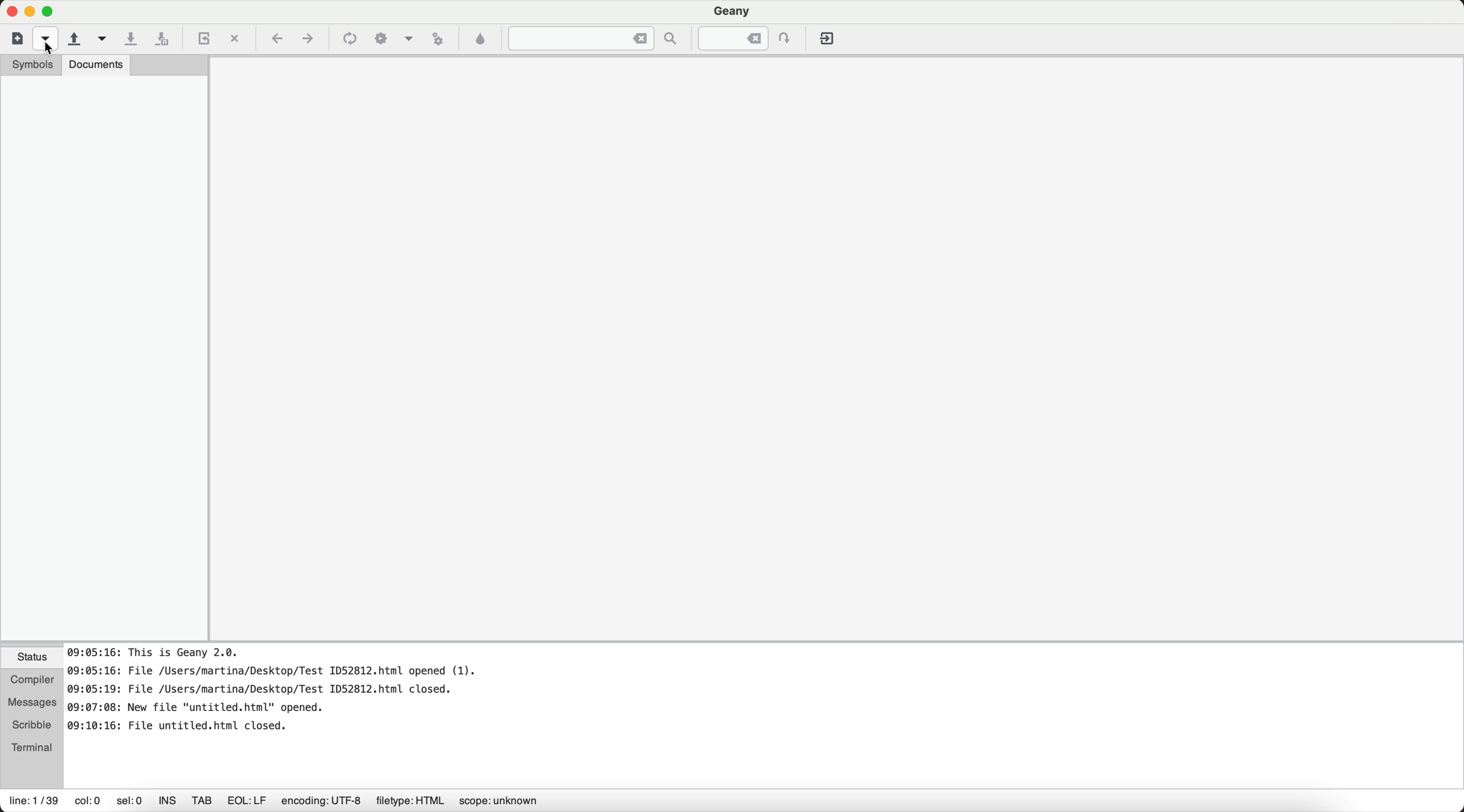 The height and width of the screenshot is (812, 1464). I want to click on run or view the current file, so click(439, 39).